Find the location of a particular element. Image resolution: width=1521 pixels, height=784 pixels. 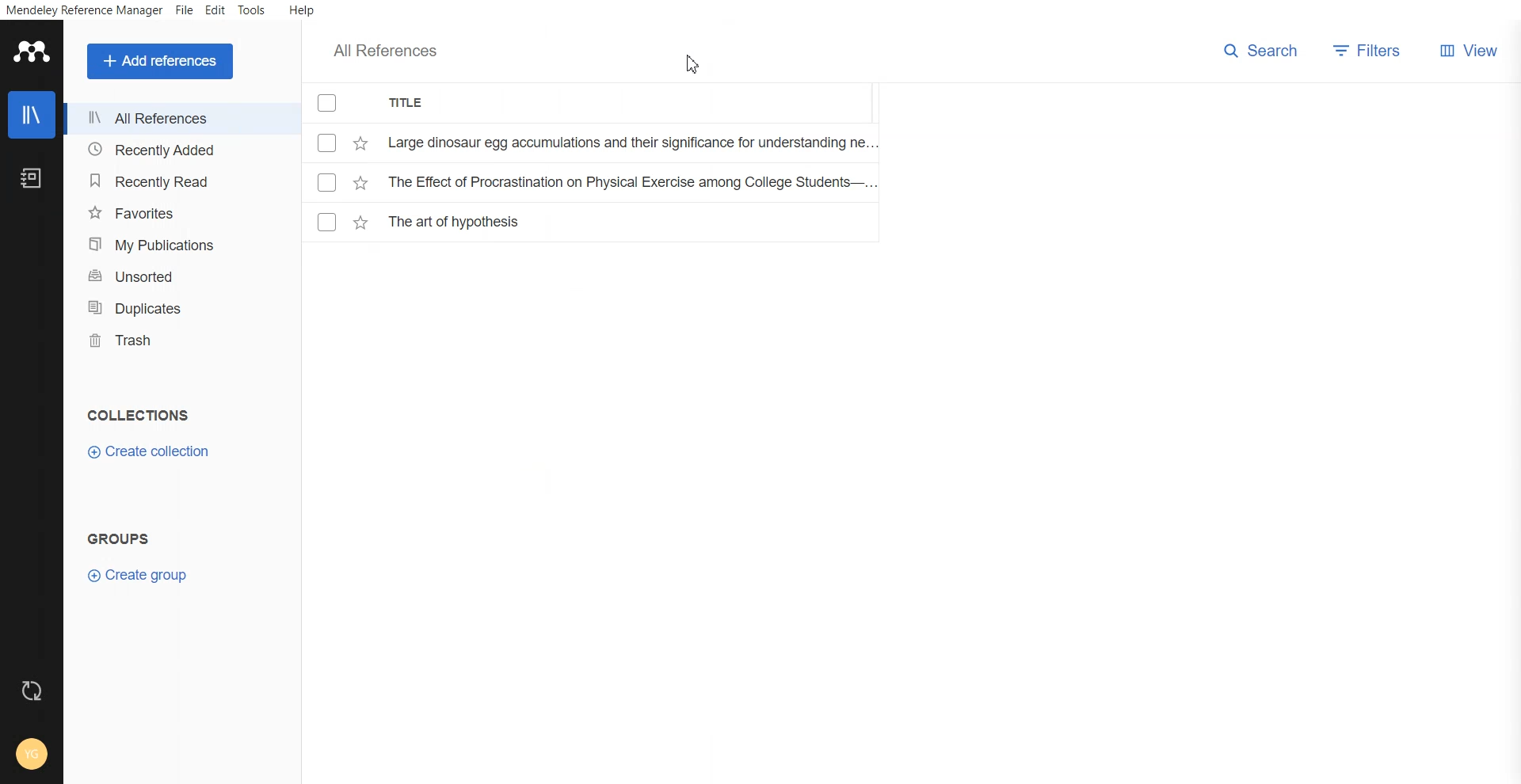

Search is located at coordinates (1260, 51).